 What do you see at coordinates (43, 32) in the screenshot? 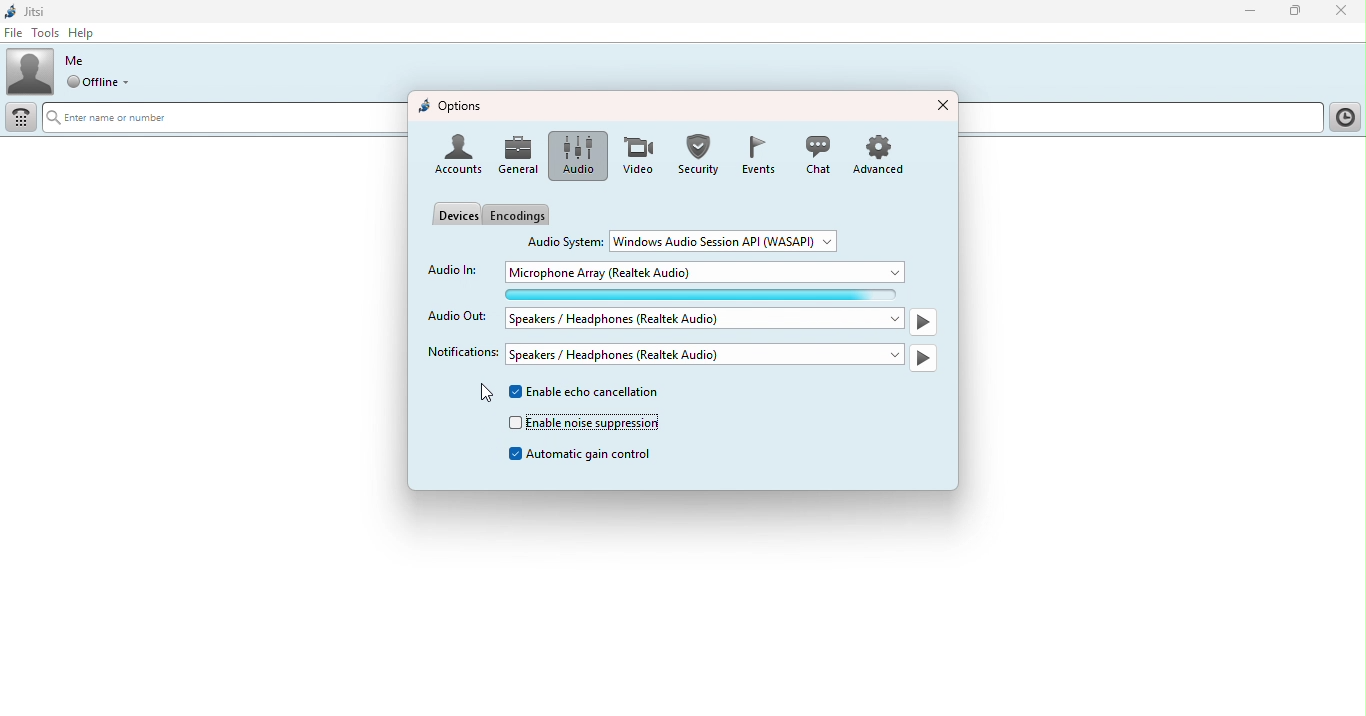
I see `Tools` at bounding box center [43, 32].